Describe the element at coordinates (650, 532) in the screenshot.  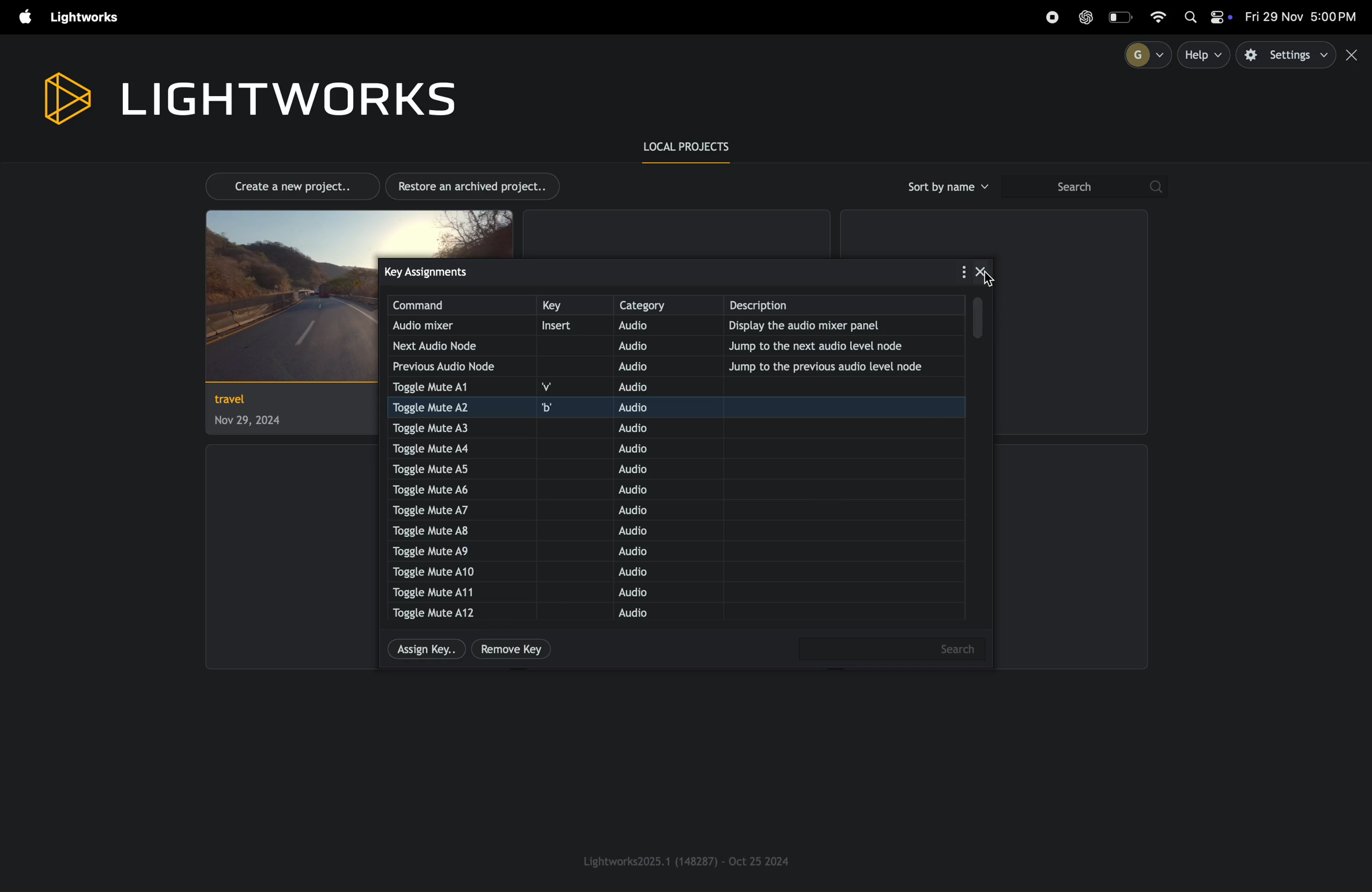
I see `audio` at that location.